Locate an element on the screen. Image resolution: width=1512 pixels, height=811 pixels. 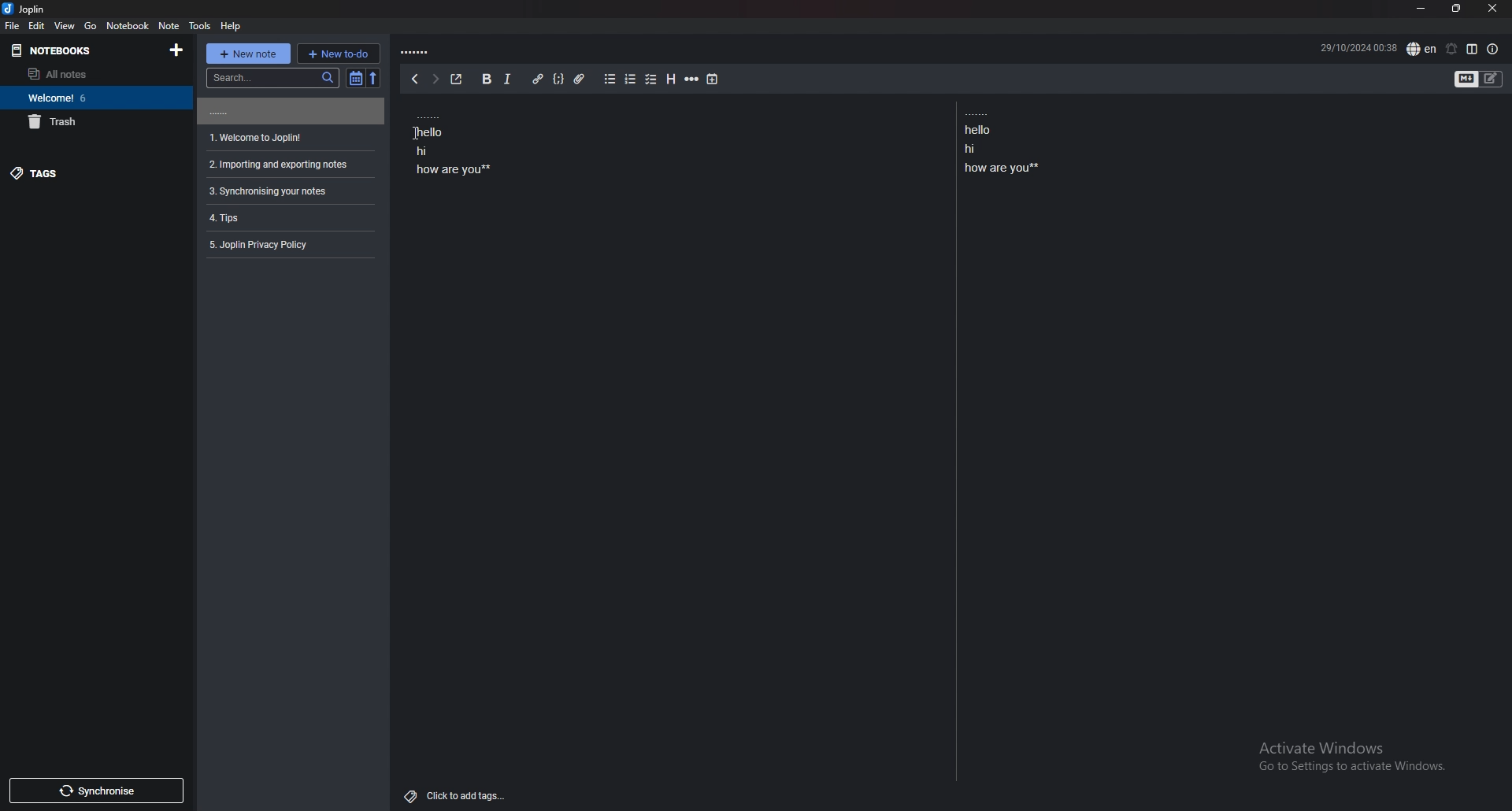
 is located at coordinates (1345, 760).